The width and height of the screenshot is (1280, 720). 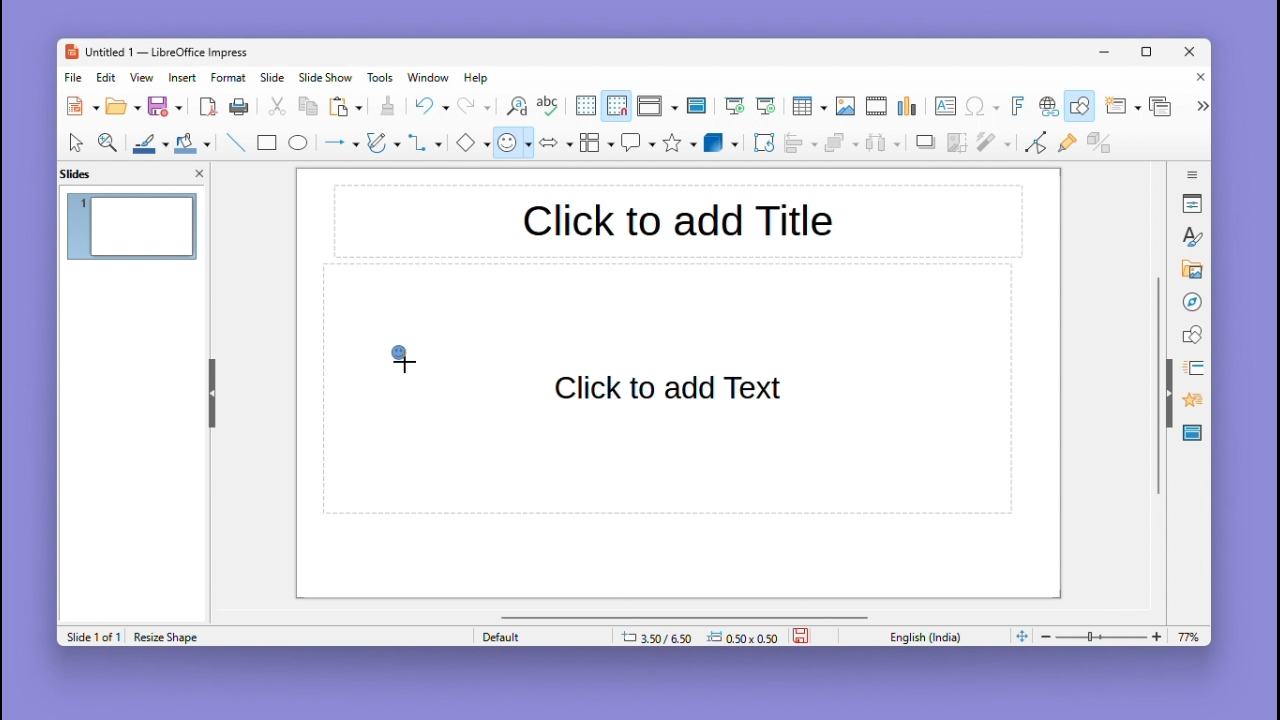 I want to click on Open, so click(x=123, y=107).